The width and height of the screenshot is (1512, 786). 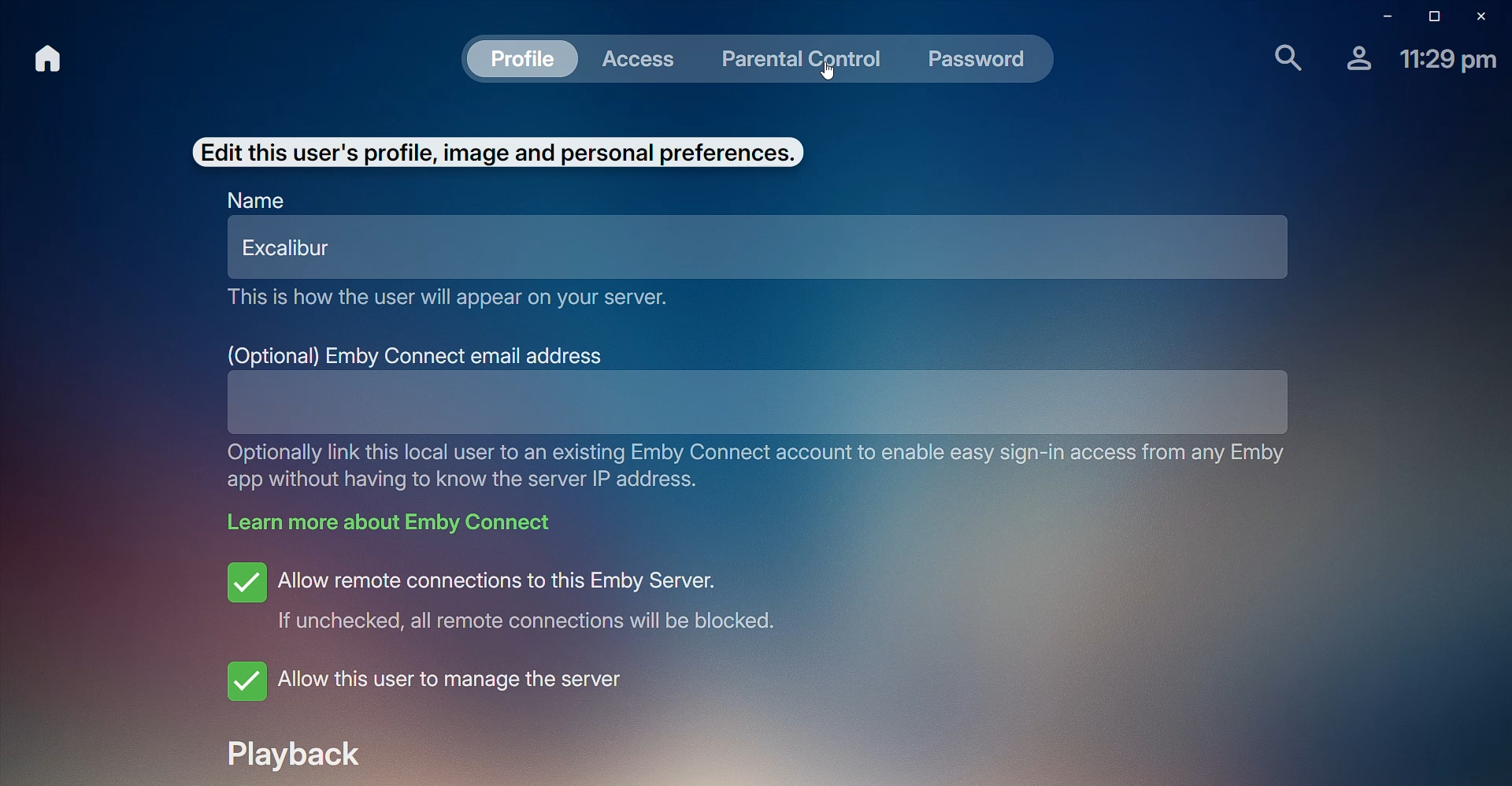 I want to click on Allow this user to manage the server, so click(x=463, y=689).